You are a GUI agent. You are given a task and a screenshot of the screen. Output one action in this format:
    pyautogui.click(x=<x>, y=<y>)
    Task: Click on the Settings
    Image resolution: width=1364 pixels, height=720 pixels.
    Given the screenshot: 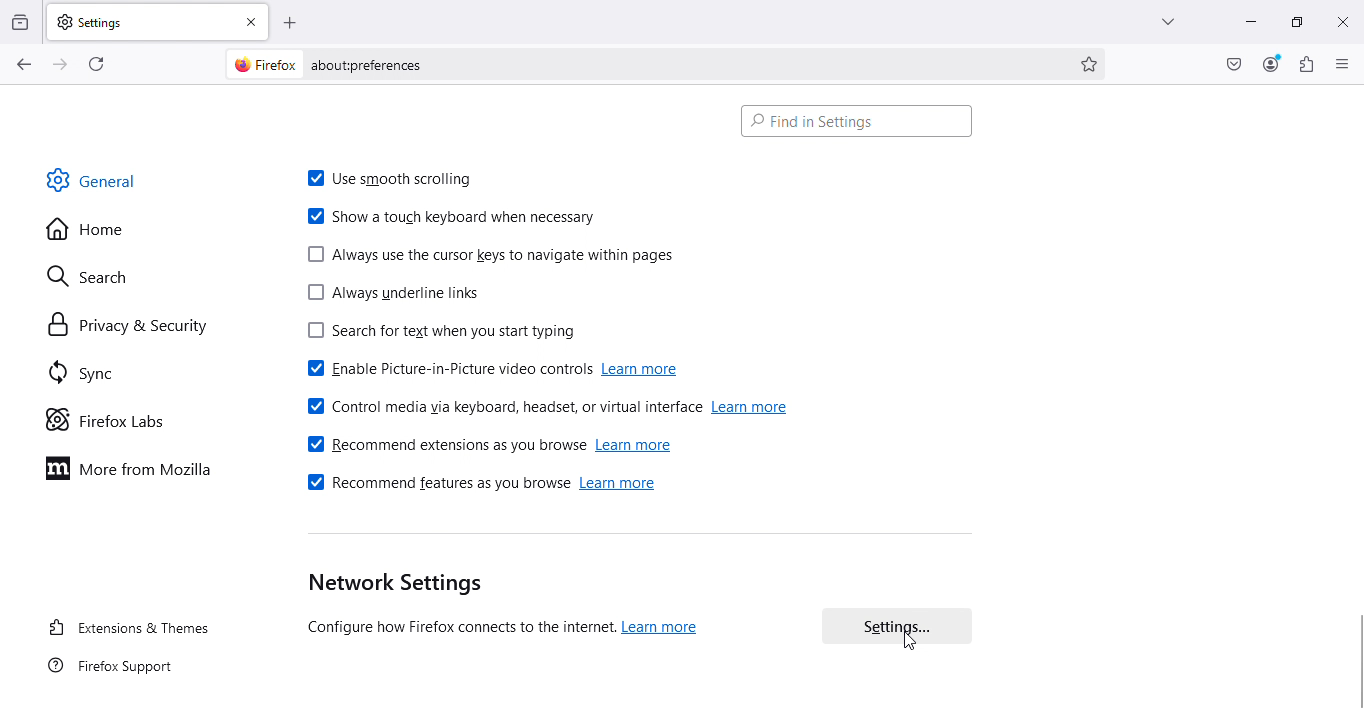 What is the action you would take?
    pyautogui.click(x=142, y=21)
    